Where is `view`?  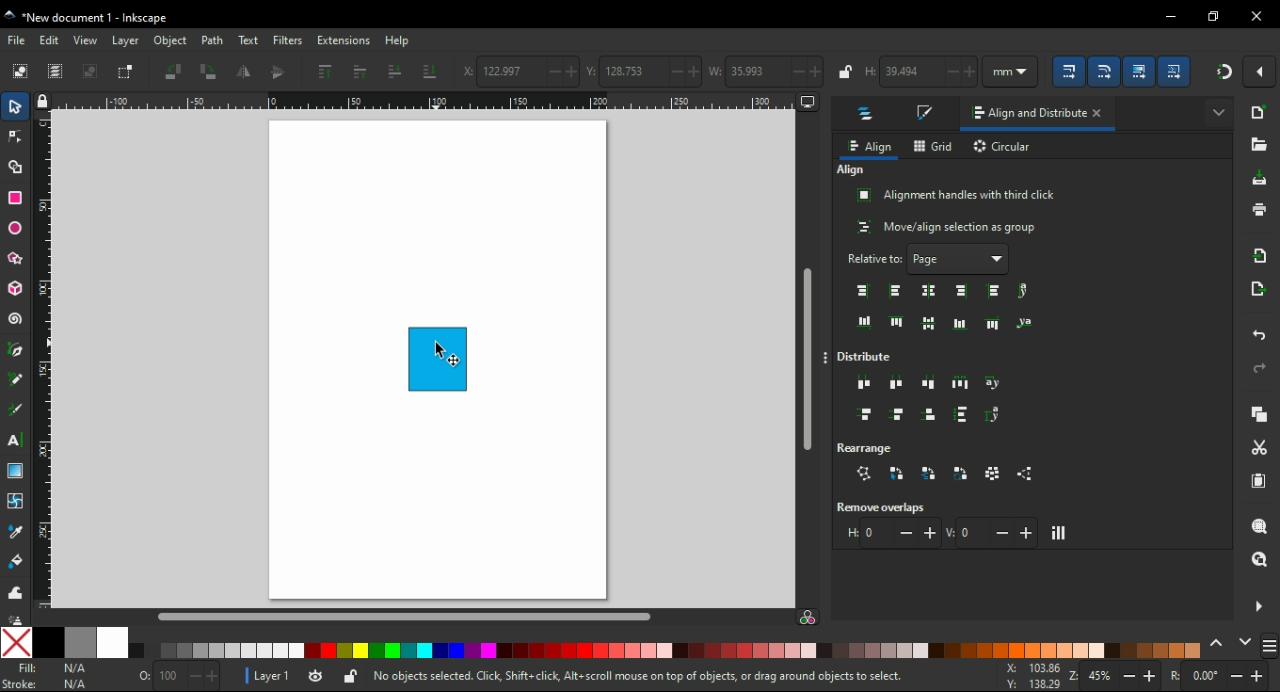
view is located at coordinates (86, 41).